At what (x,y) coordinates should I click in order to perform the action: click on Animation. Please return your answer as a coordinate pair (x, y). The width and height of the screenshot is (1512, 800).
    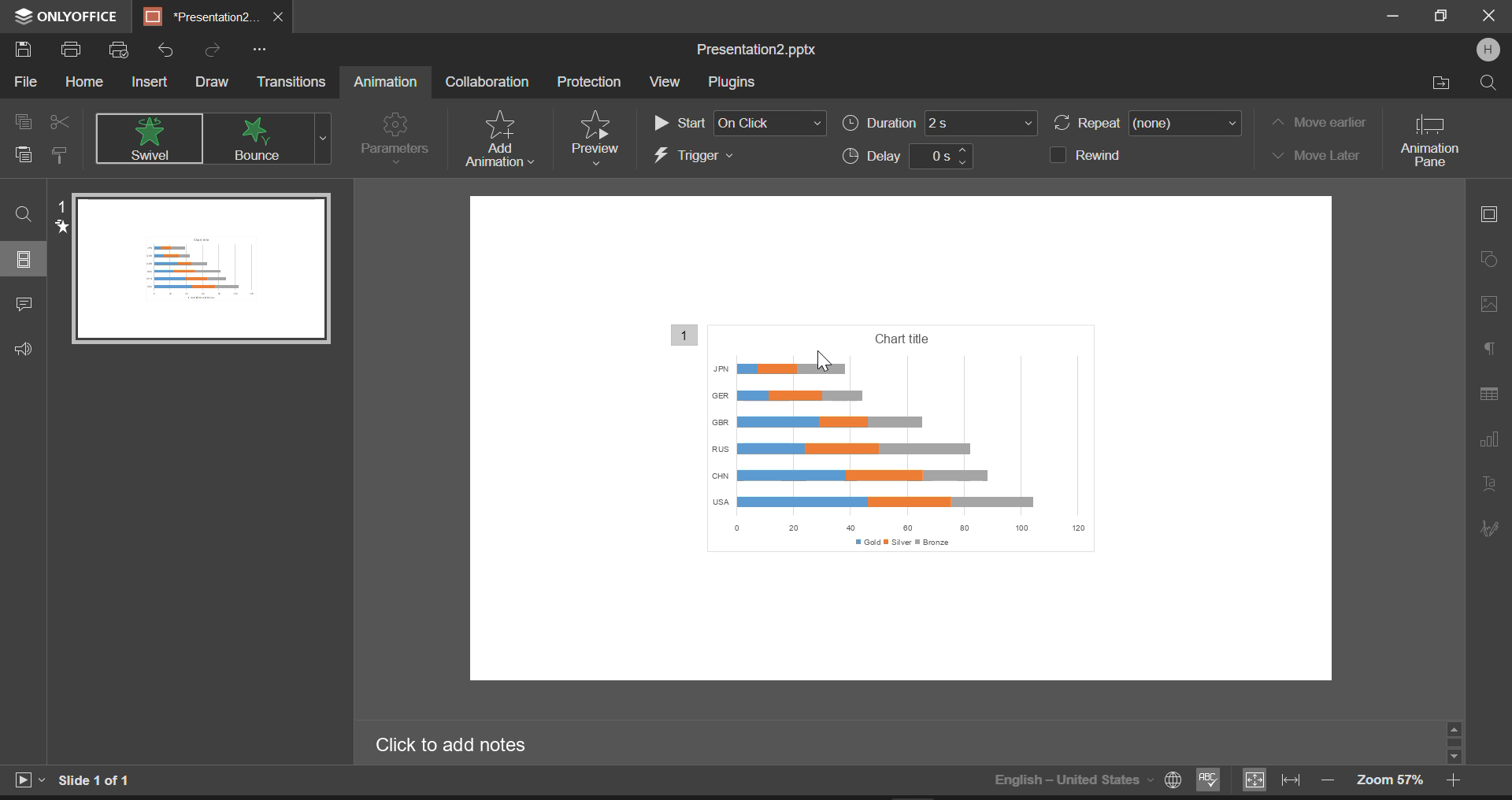
    Looking at the image, I should click on (384, 83).